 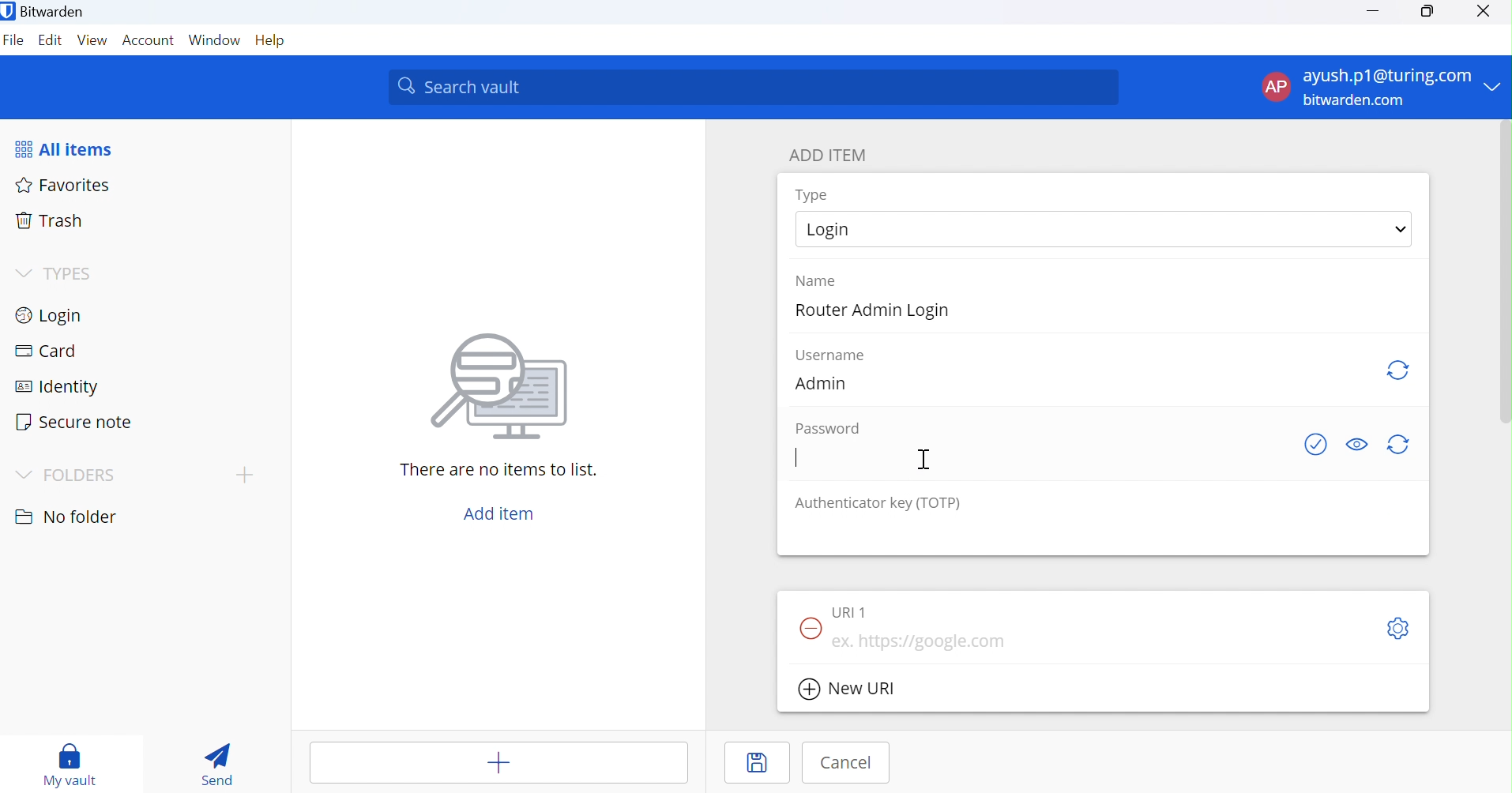 What do you see at coordinates (499, 384) in the screenshot?
I see `icon` at bounding box center [499, 384].